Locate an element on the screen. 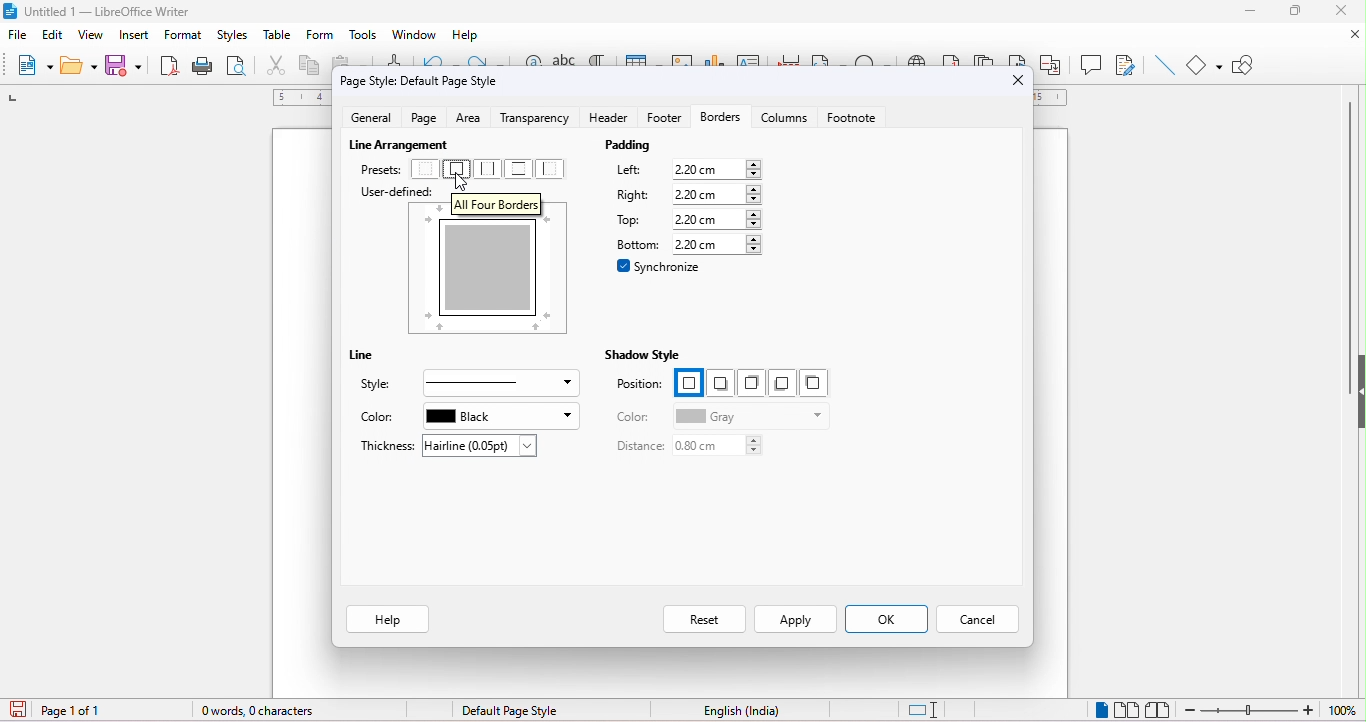 This screenshot has height=722, width=1366. print preview is located at coordinates (240, 69).